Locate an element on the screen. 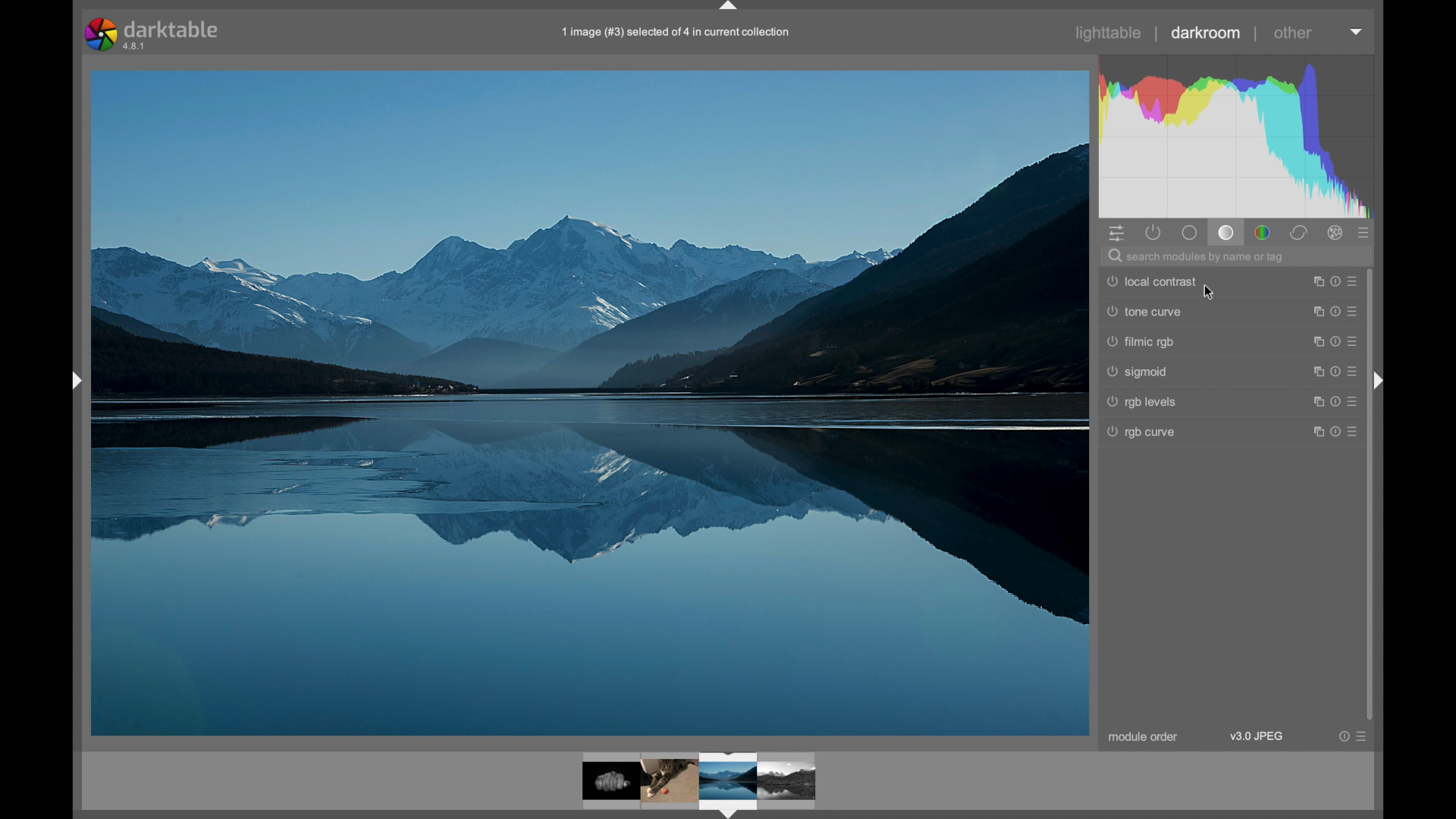 Image resolution: width=1456 pixels, height=819 pixels. other is located at coordinates (1294, 32).